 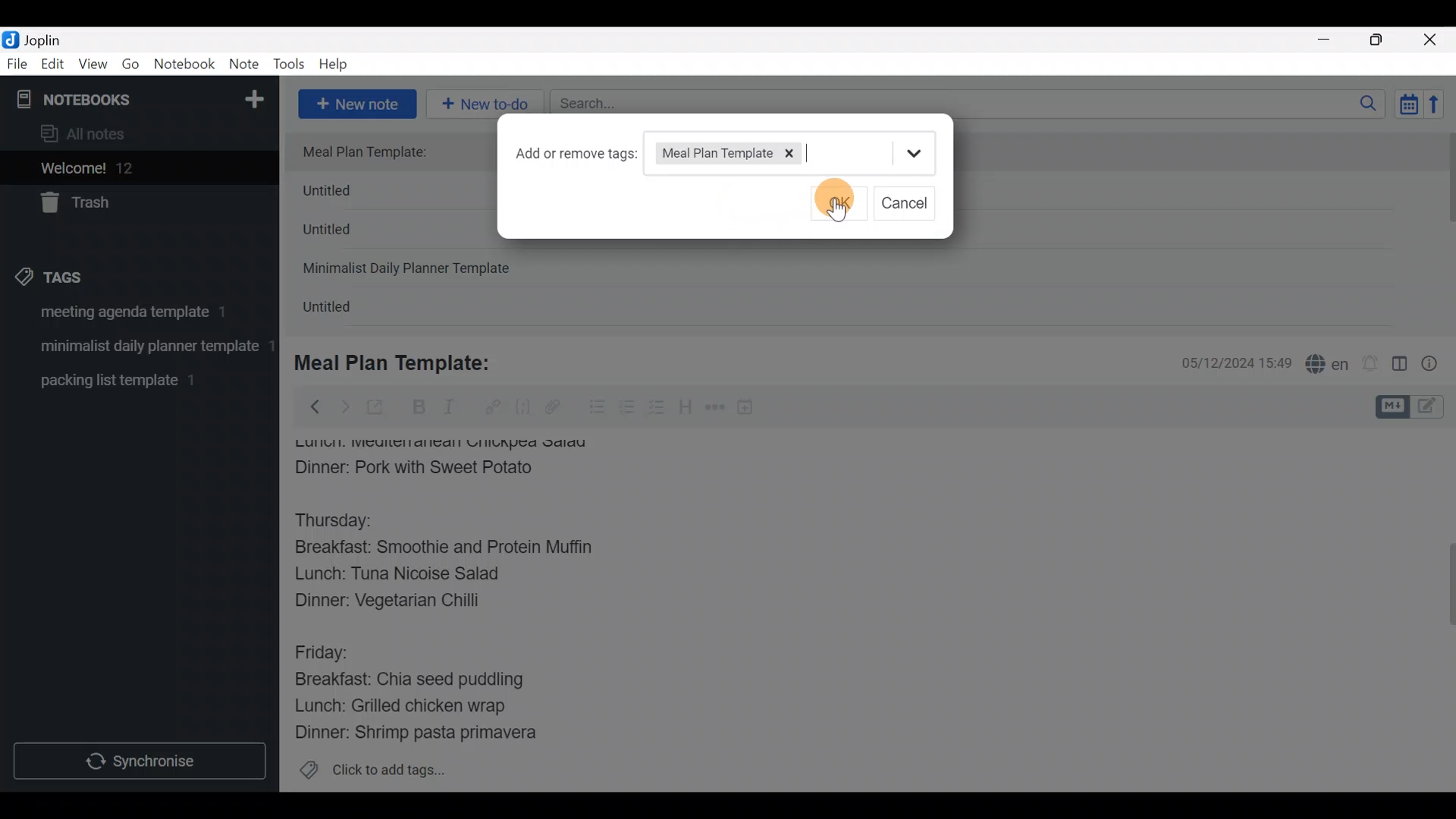 What do you see at coordinates (135, 316) in the screenshot?
I see `Tag 1` at bounding box center [135, 316].